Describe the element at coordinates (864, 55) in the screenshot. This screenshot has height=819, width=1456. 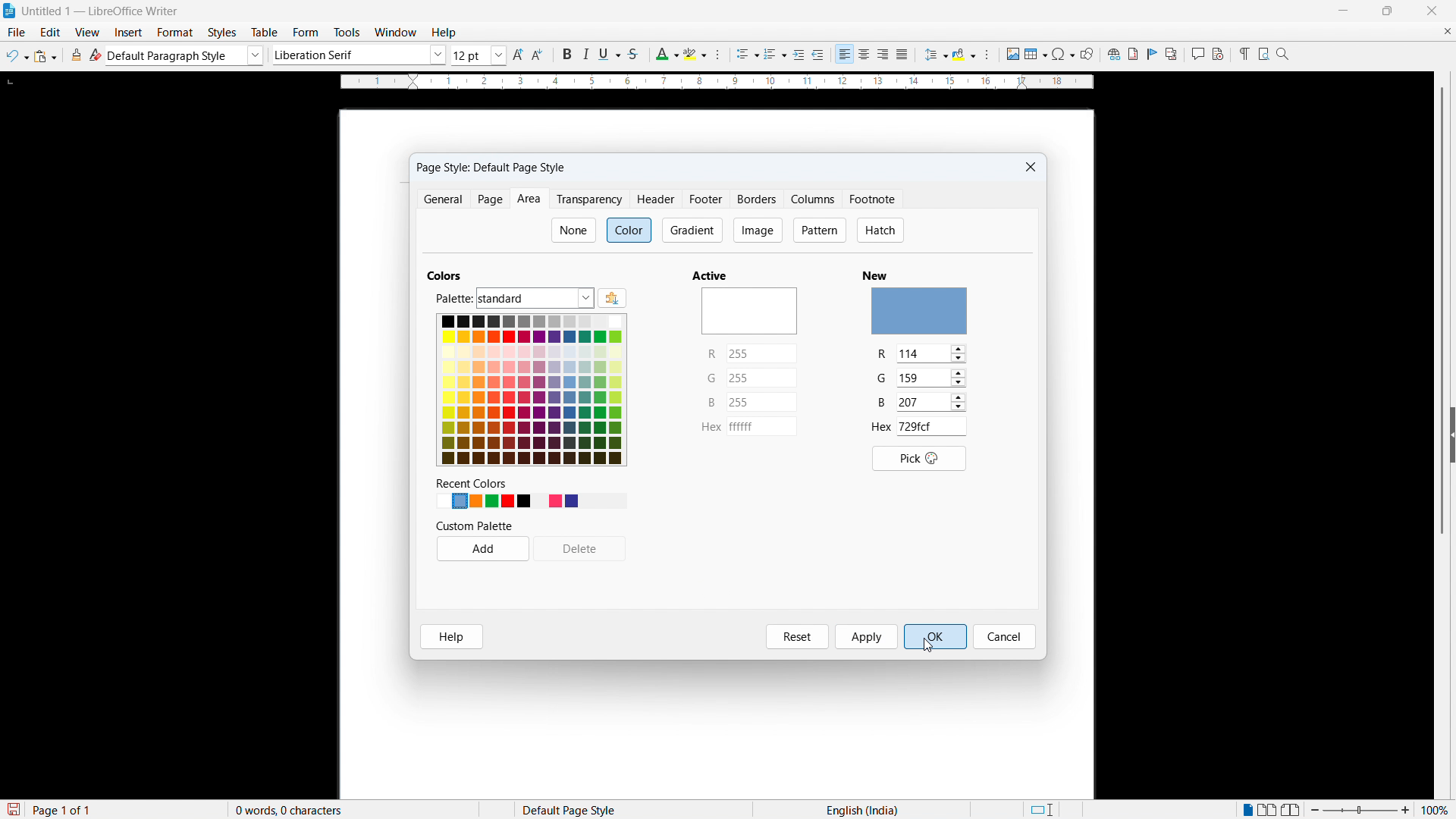
I see `Align Centre ` at that location.